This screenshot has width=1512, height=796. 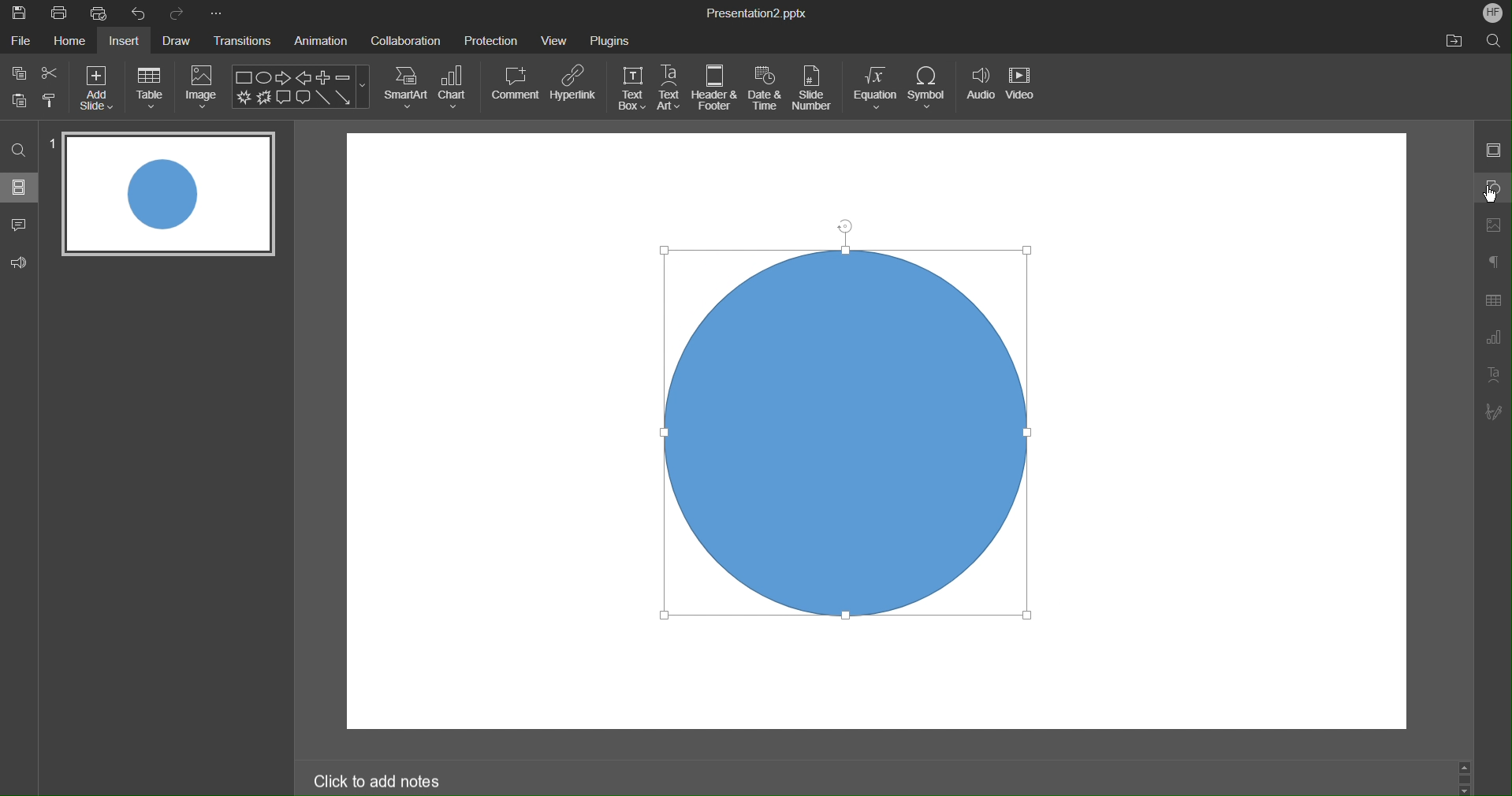 I want to click on workspace, so click(x=498, y=434).